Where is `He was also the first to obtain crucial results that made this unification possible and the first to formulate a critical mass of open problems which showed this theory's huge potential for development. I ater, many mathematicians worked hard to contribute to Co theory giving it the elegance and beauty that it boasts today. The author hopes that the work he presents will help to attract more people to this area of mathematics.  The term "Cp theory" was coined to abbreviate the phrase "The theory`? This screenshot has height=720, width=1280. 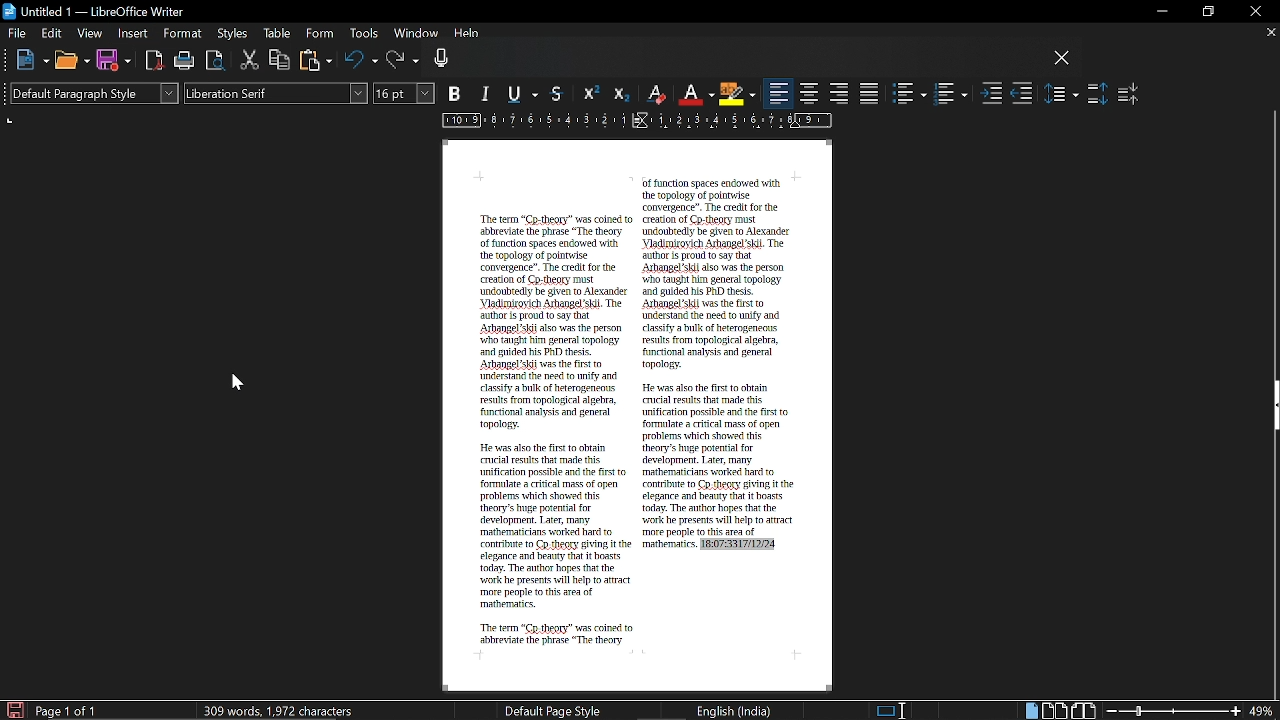
He was also the first to obtain crucial results that made this unification possible and the first to formulate a critical mass of open problems which showed this theory's huge potential for development. I ater, many mathematicians worked hard to contribute to Co theory giving it the elegance and beauty that it boasts today. The author hopes that the work he presents will help to attract more people to this area of mathematics.  The term "Cp theory" was coined to abbreviate the phrase "The theory is located at coordinates (554, 544).